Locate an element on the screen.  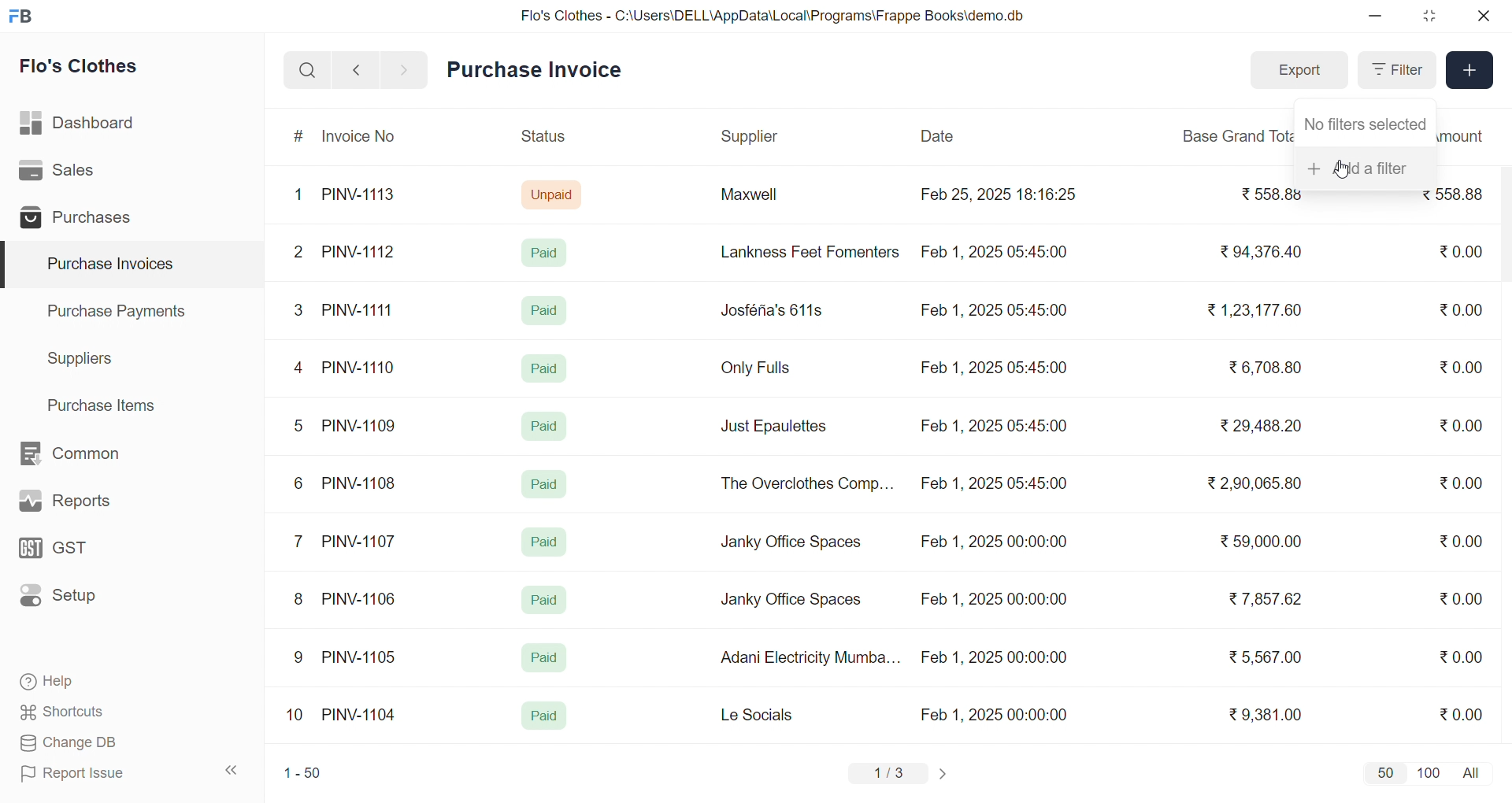
navigate backward is located at coordinates (356, 69).